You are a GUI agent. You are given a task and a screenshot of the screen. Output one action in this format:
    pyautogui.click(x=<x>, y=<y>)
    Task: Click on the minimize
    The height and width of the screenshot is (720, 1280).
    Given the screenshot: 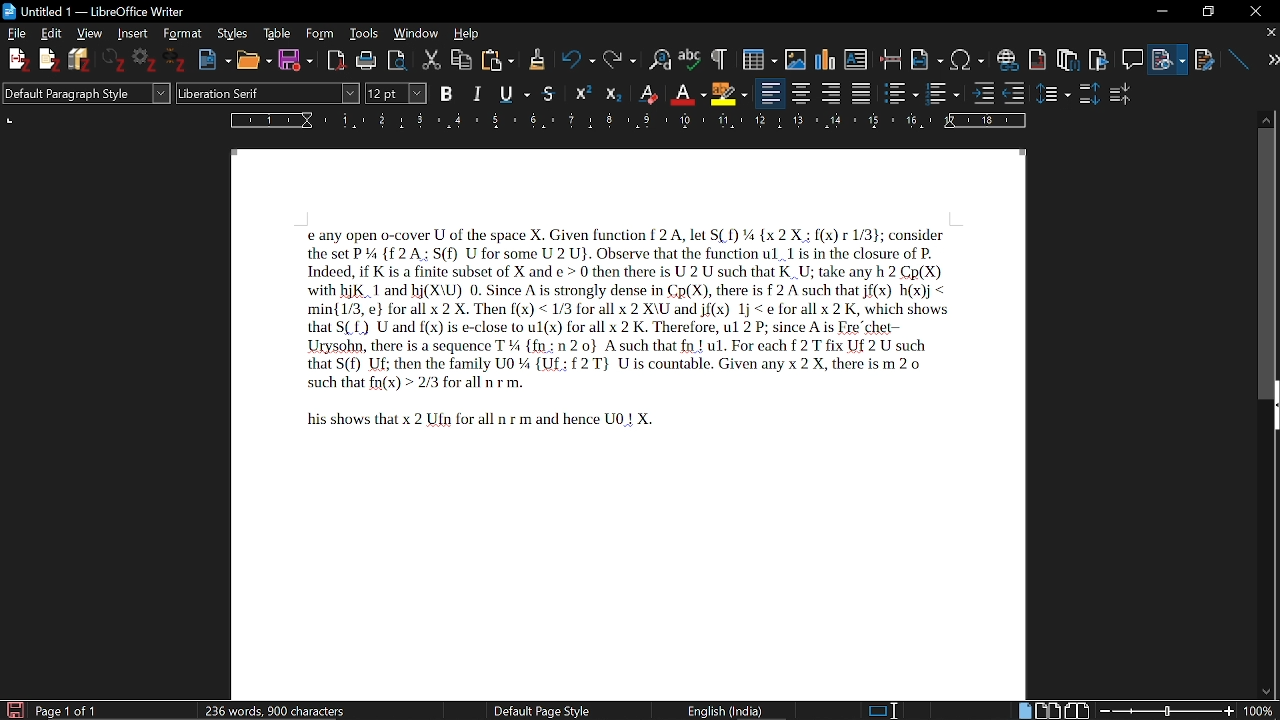 What is the action you would take?
    pyautogui.click(x=1166, y=12)
    